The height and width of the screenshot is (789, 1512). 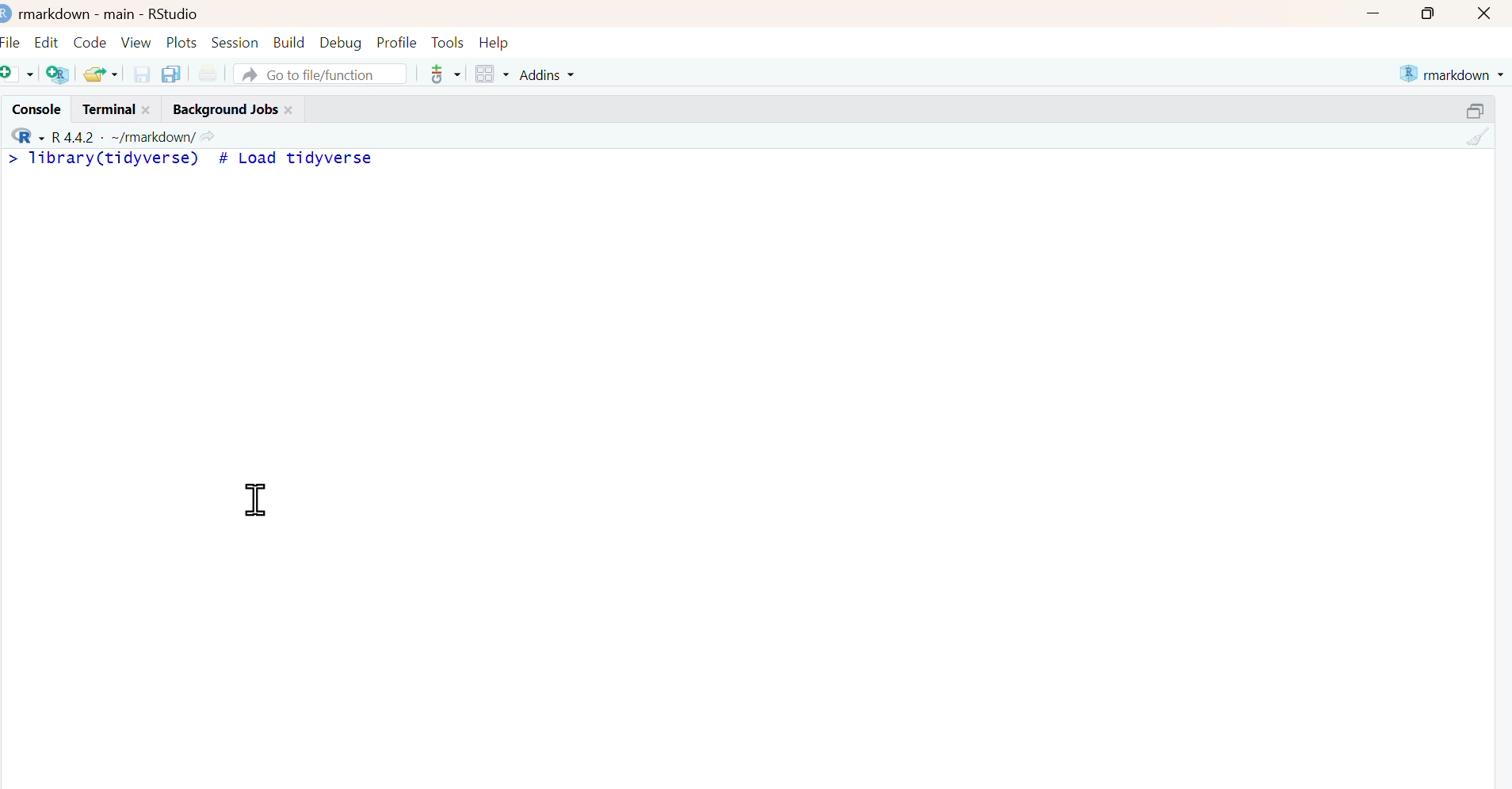 What do you see at coordinates (57, 74) in the screenshot?
I see `create project` at bounding box center [57, 74].